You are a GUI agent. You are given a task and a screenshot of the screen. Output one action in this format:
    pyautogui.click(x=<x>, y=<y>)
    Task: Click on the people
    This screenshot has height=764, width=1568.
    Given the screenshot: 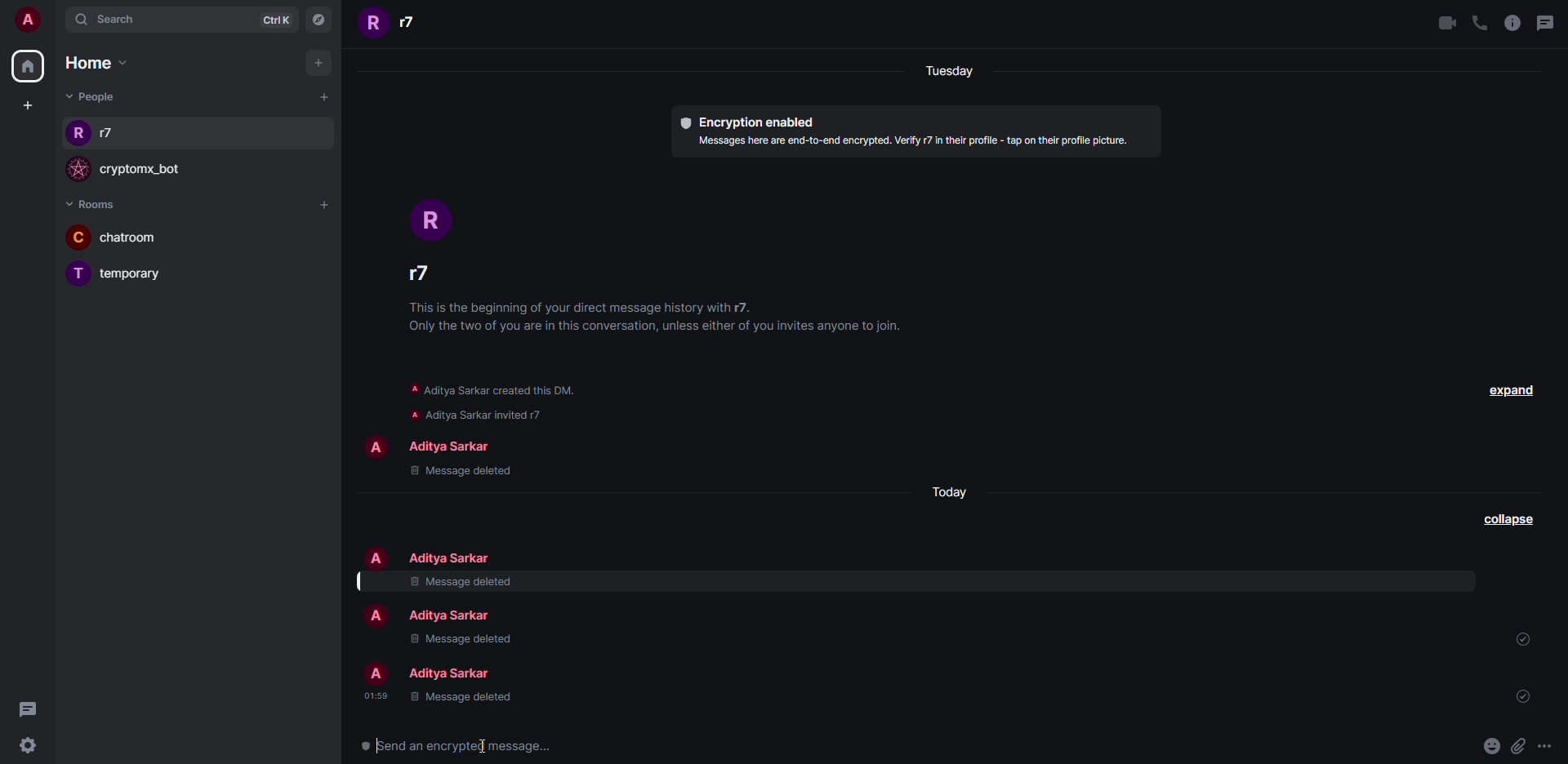 What is the action you would take?
    pyautogui.click(x=454, y=615)
    